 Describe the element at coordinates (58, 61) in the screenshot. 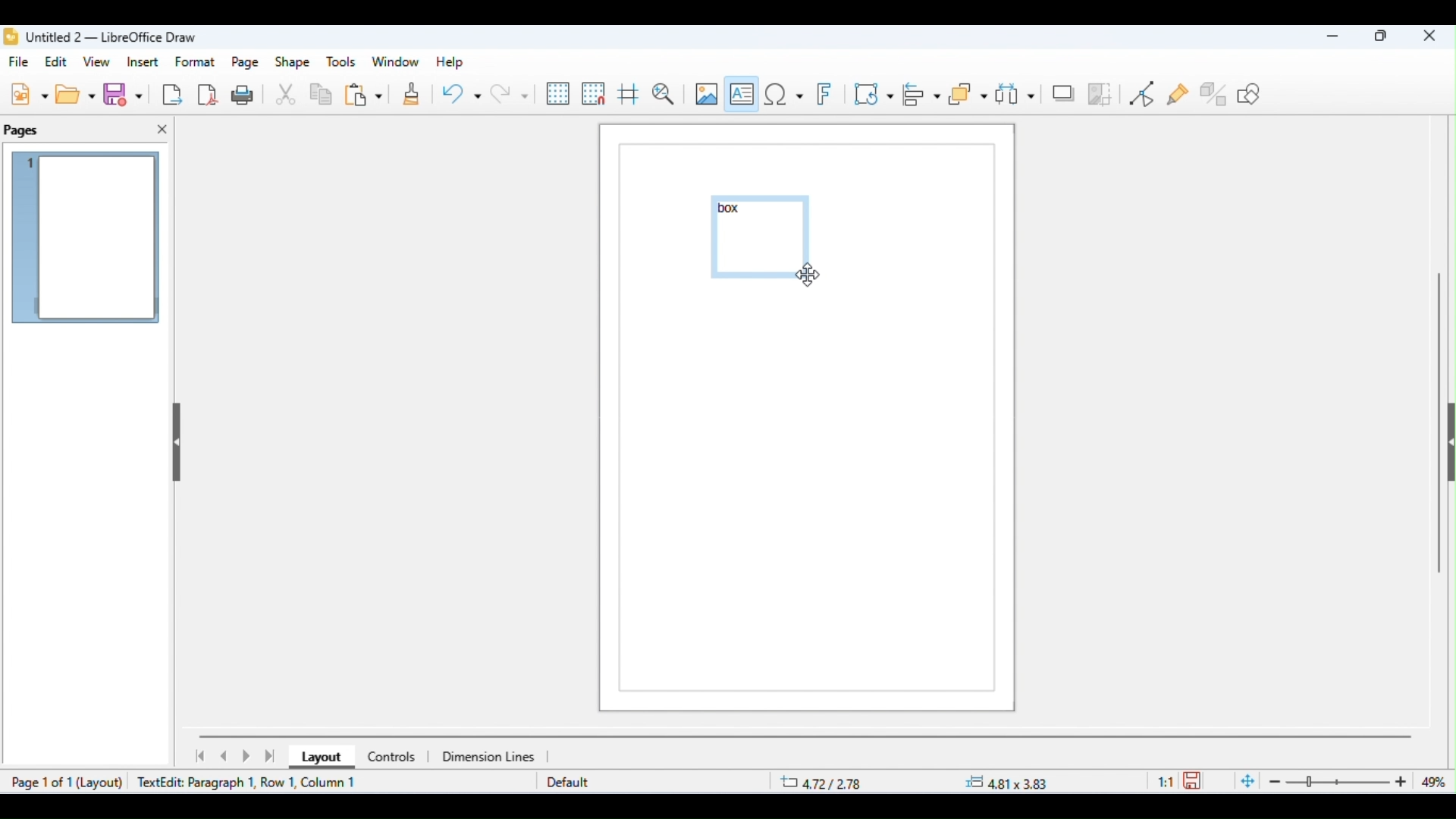

I see `edit` at that location.